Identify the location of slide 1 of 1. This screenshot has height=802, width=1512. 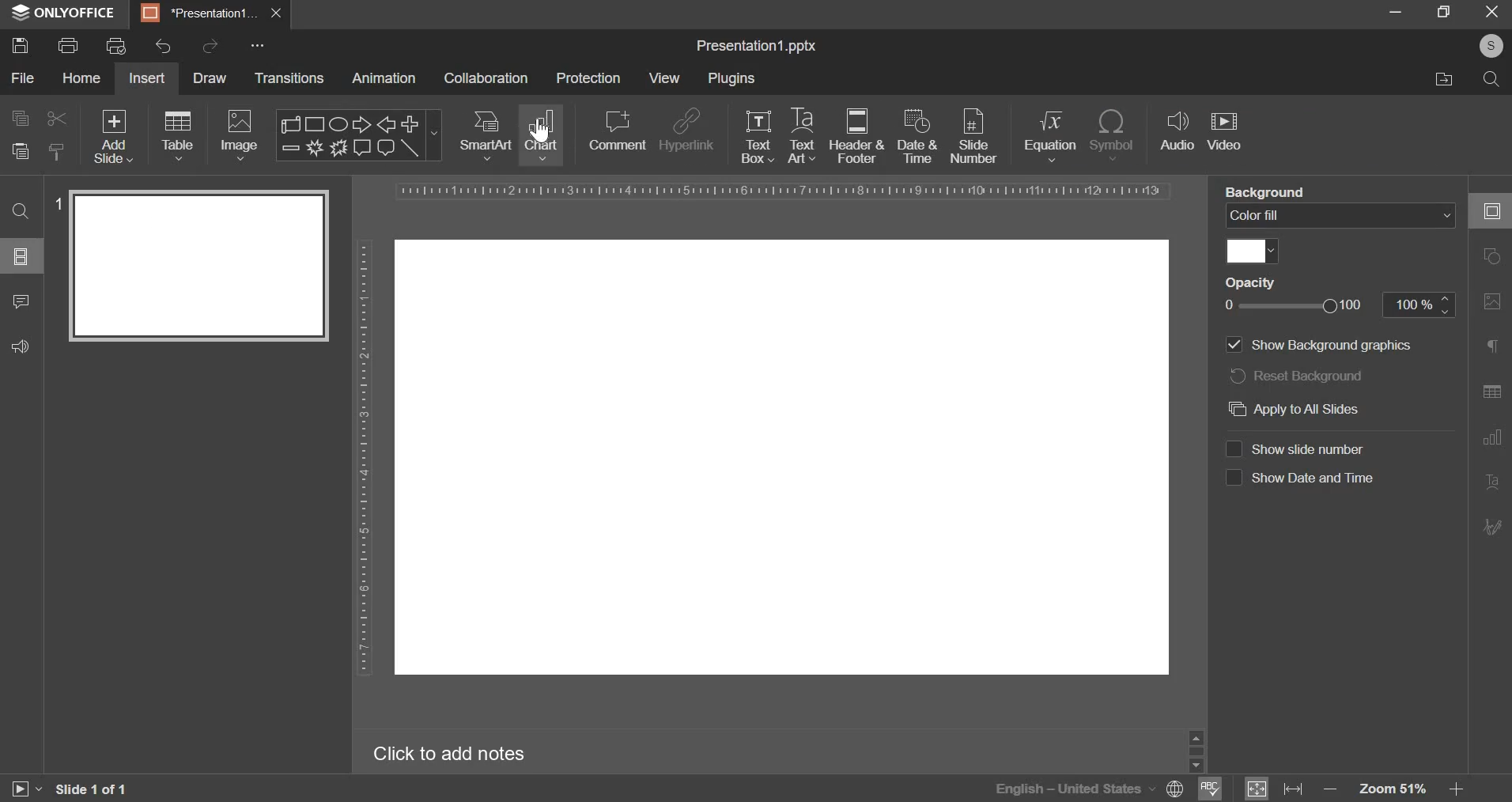
(90, 789).